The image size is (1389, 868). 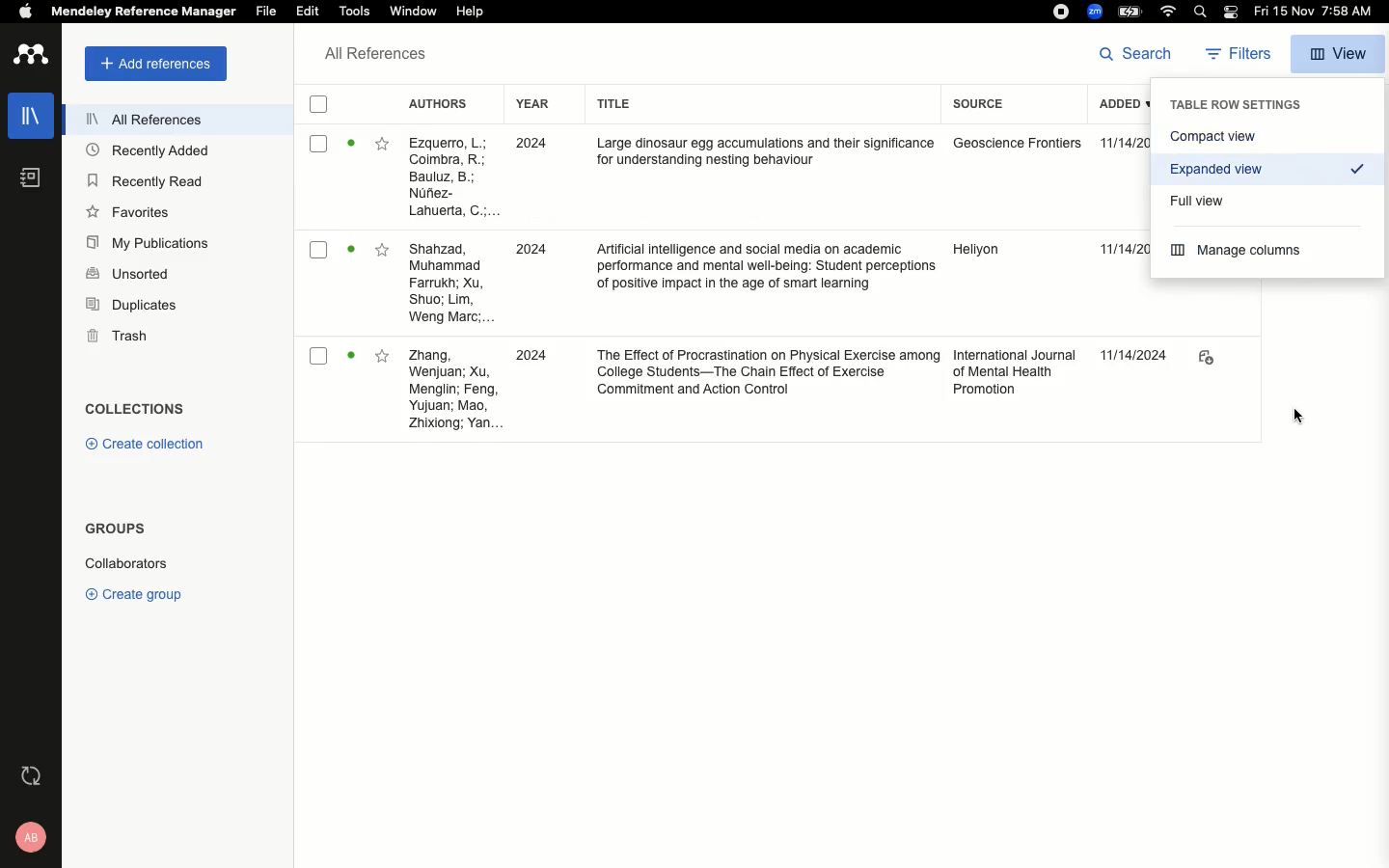 I want to click on Account and help, so click(x=26, y=837).